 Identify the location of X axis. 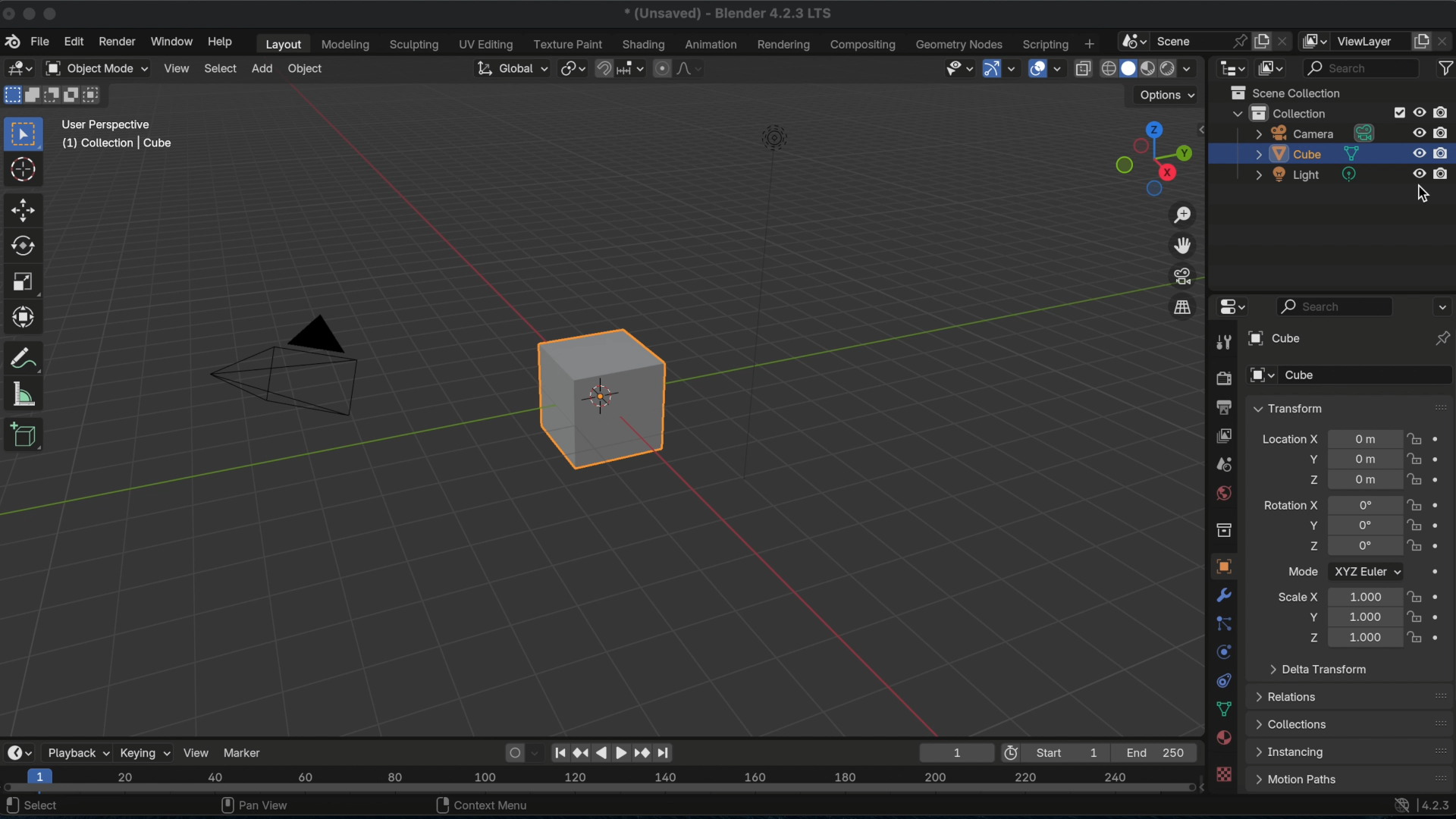
(422, 196).